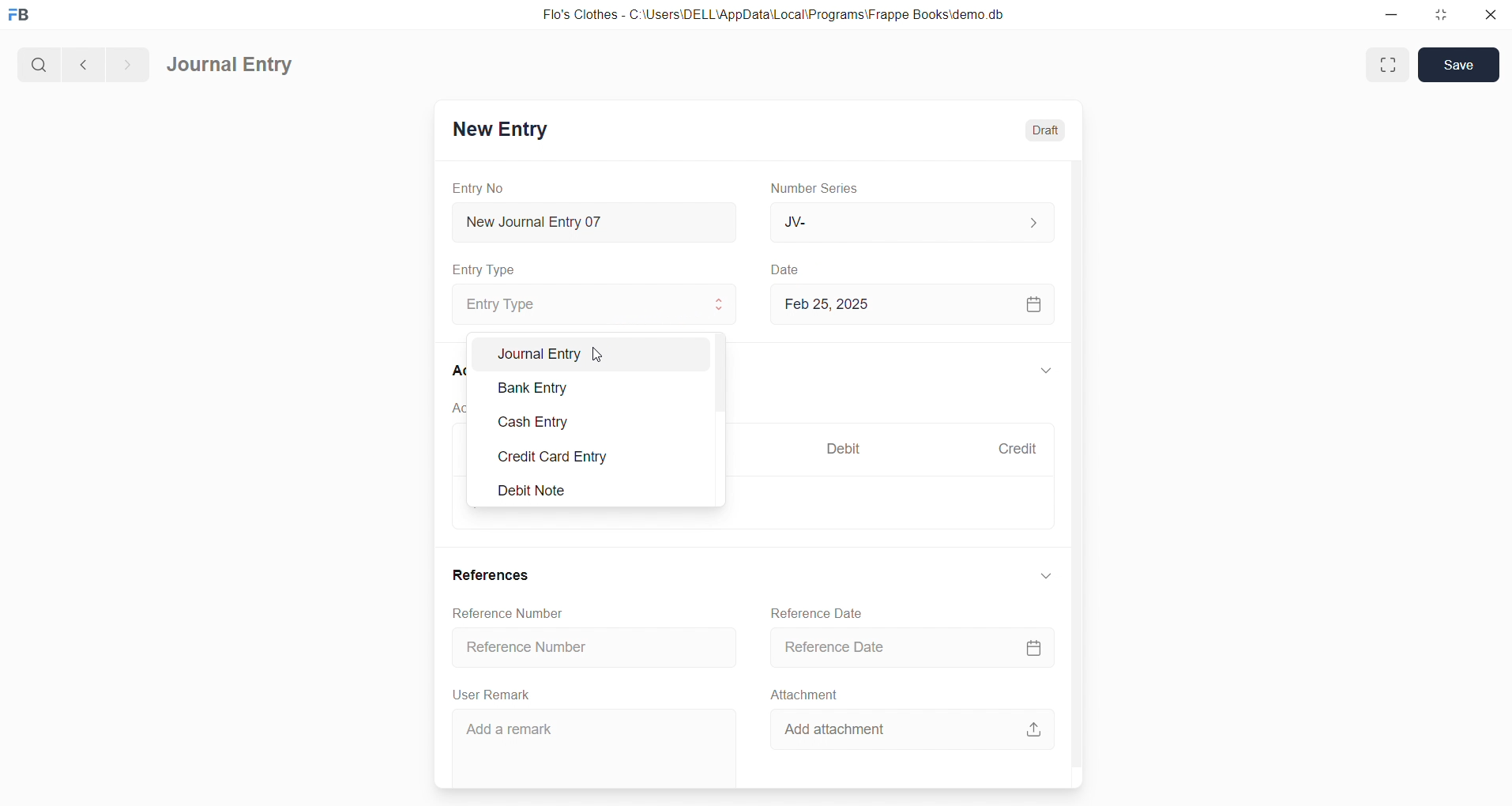  What do you see at coordinates (499, 129) in the screenshot?
I see `New Entry` at bounding box center [499, 129].